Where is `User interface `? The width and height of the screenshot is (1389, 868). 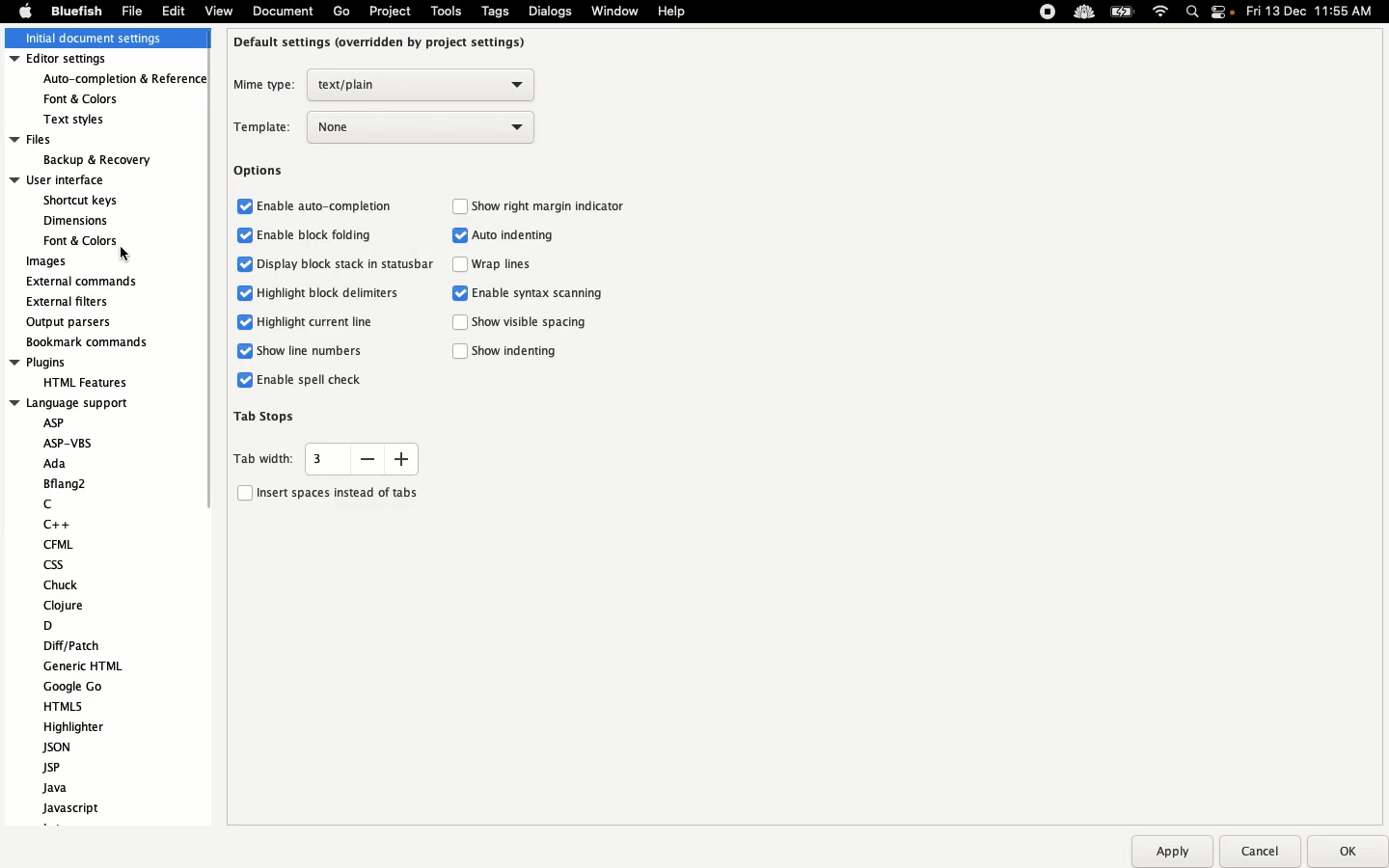 User interface  is located at coordinates (75, 179).